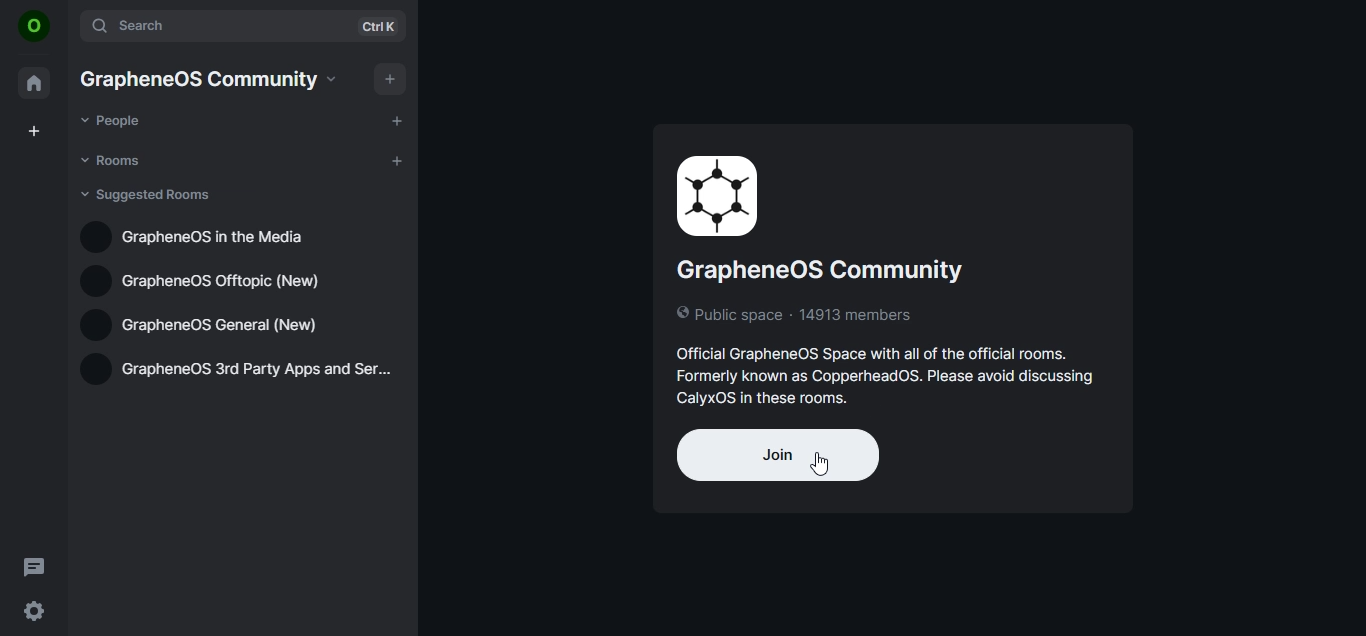 This screenshot has width=1366, height=636. I want to click on text, so click(210, 79).